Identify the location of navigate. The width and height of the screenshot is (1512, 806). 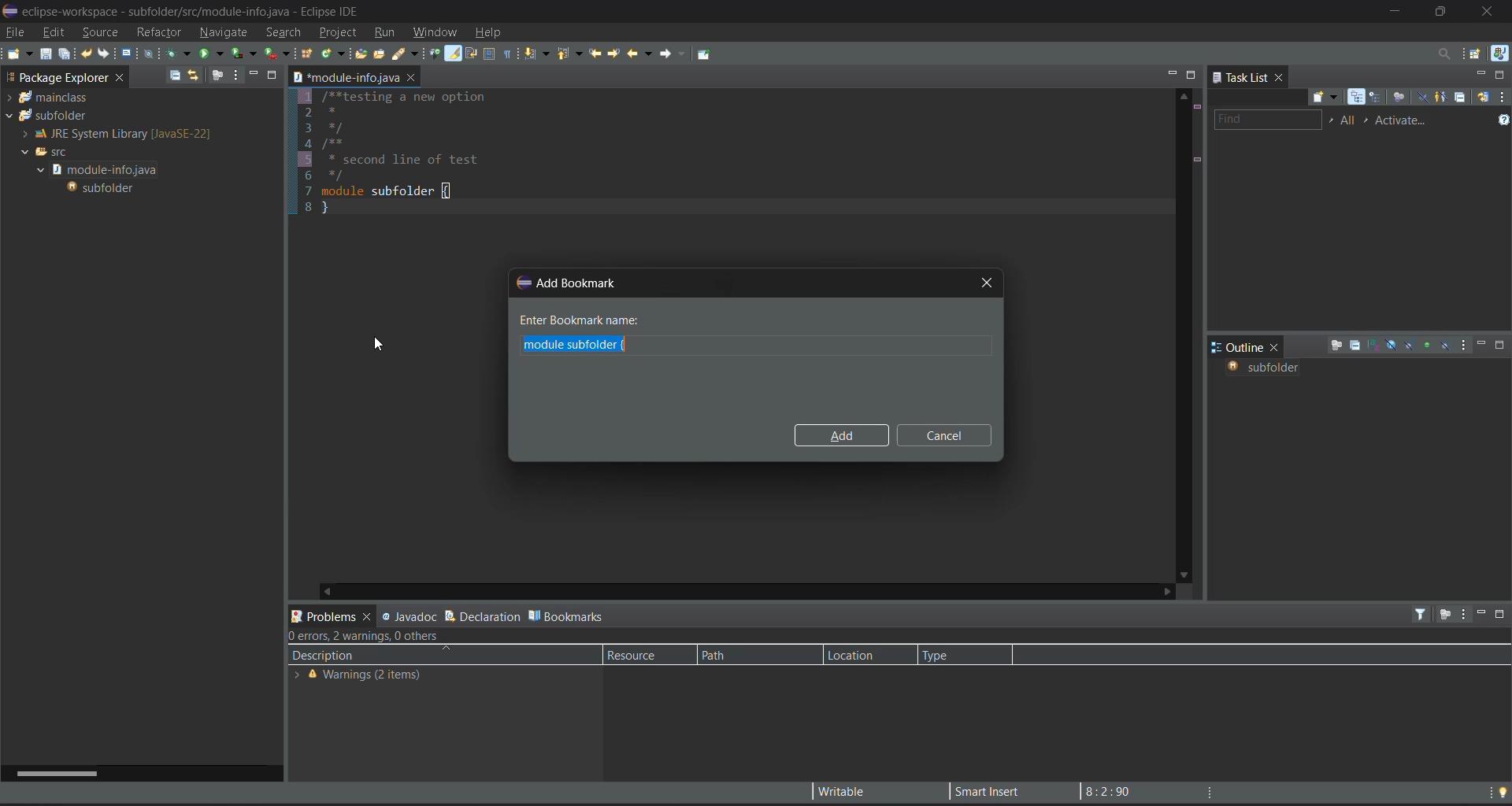
(222, 29).